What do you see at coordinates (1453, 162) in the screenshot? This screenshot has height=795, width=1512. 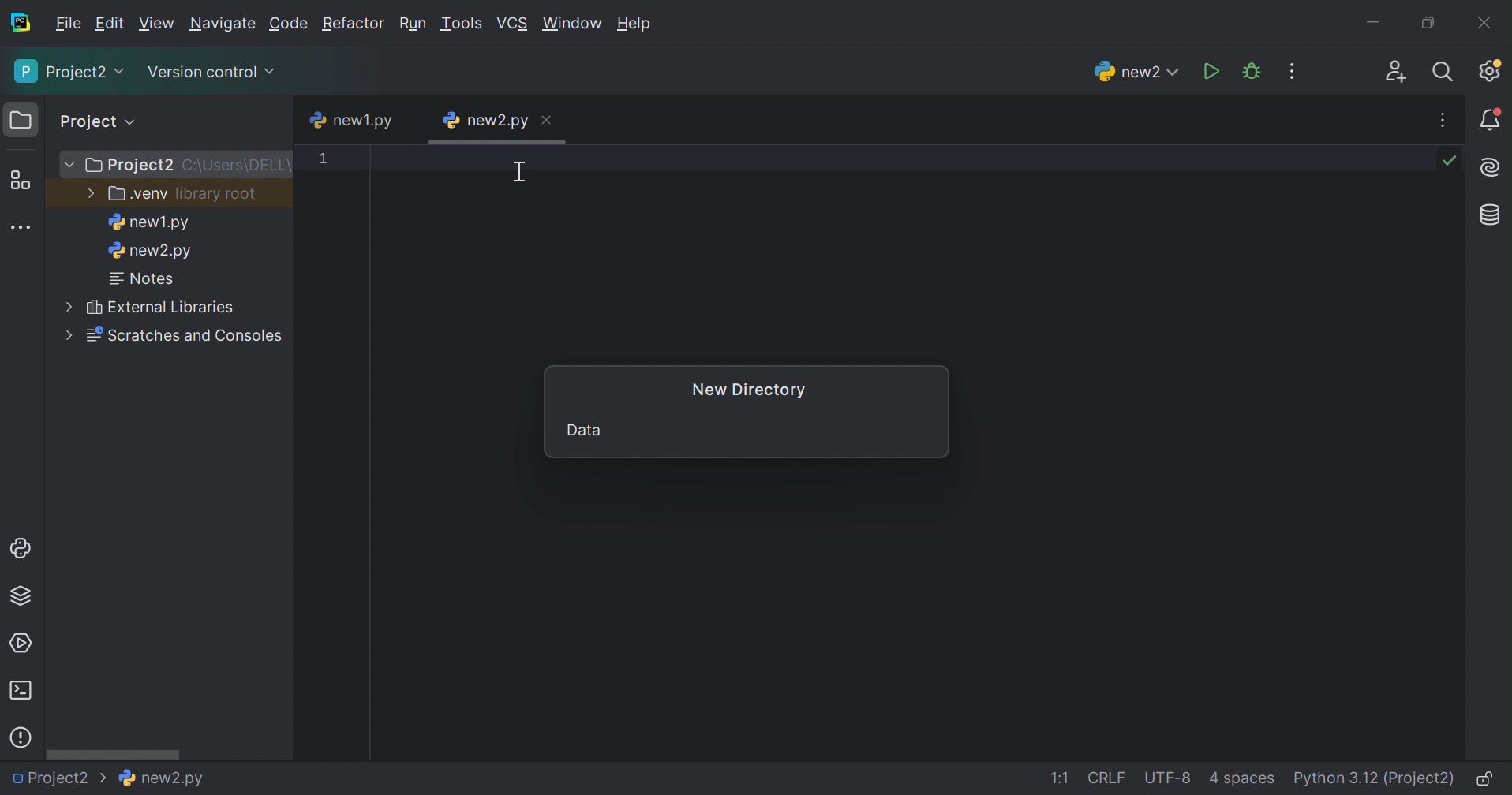 I see `No problems found` at bounding box center [1453, 162].